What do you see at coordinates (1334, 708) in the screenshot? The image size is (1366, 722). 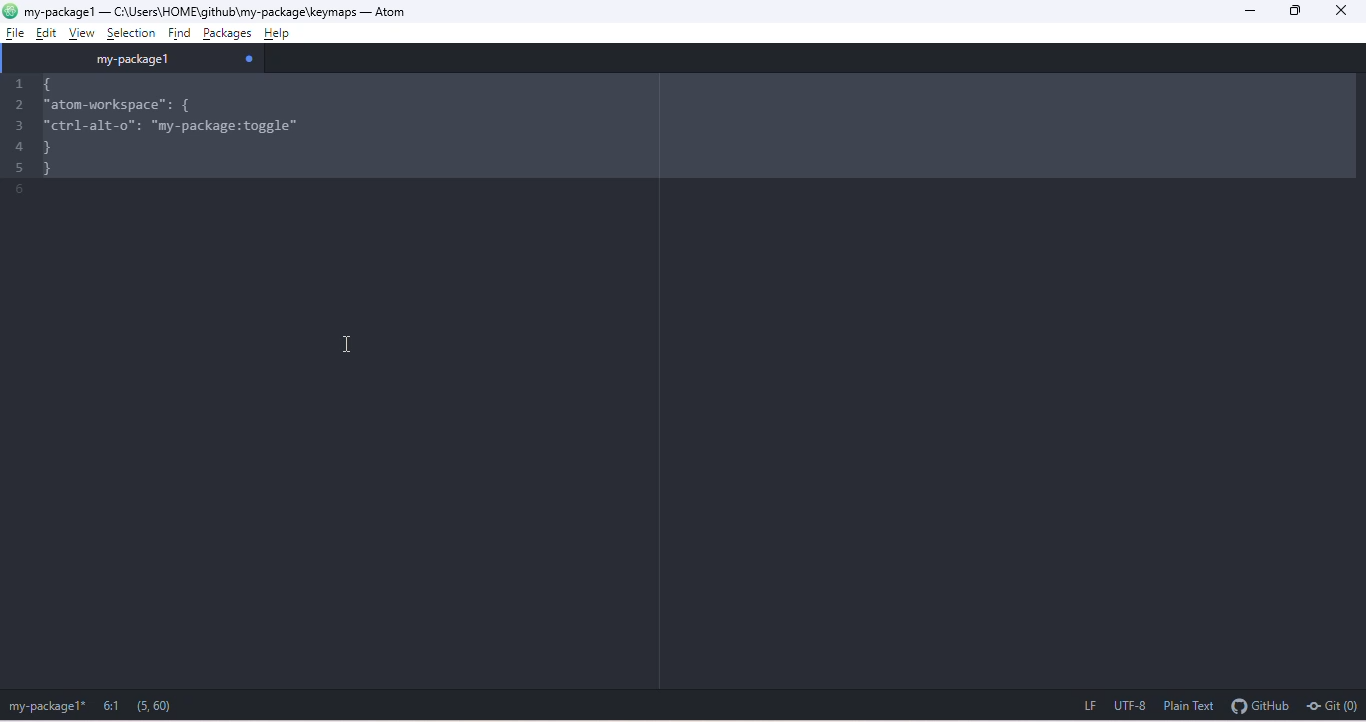 I see `git (0)` at bounding box center [1334, 708].